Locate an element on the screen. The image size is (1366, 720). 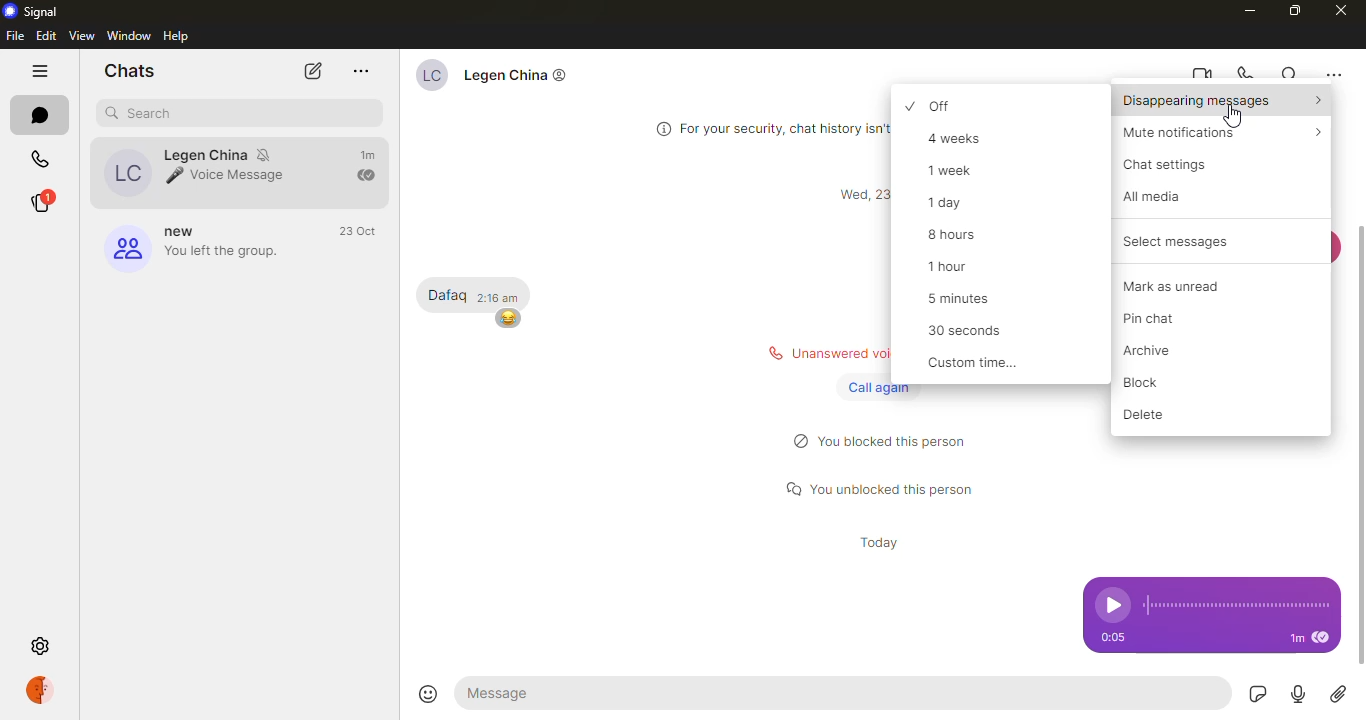
emoji is located at coordinates (506, 319).